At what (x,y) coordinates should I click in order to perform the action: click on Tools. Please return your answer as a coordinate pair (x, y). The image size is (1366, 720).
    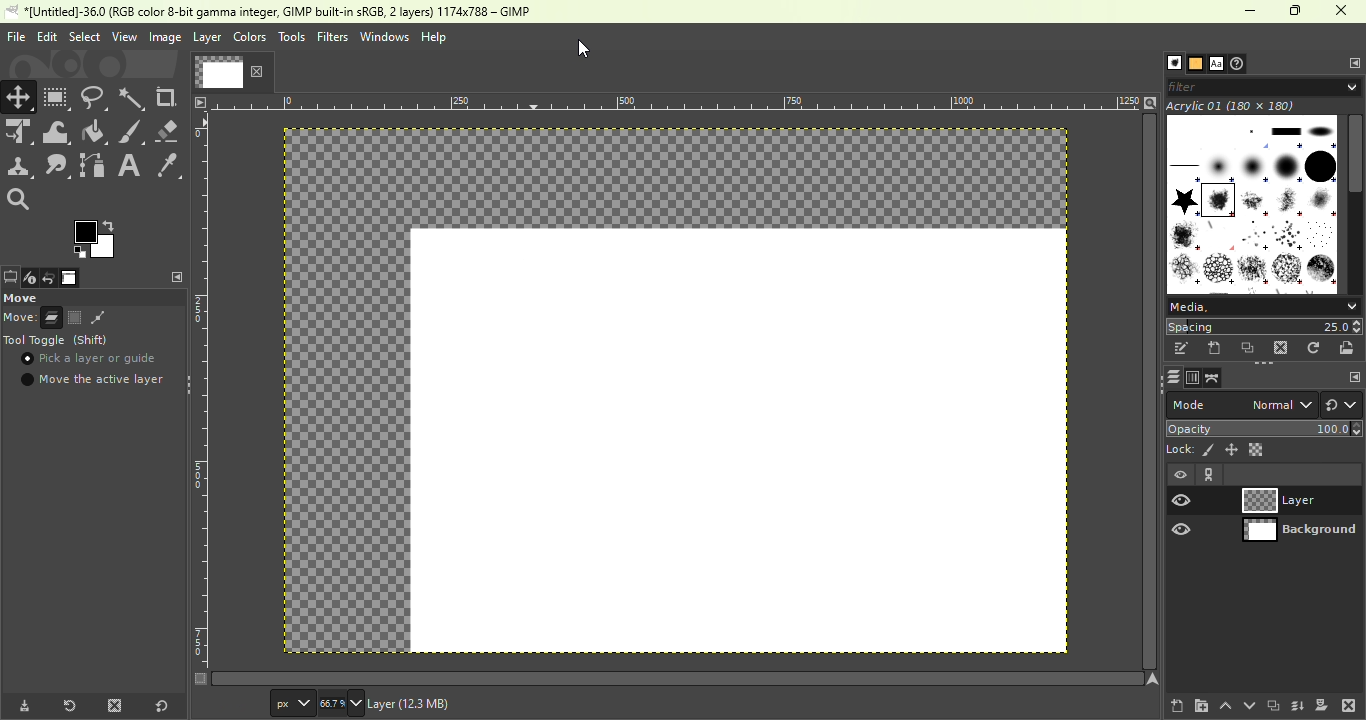
    Looking at the image, I should click on (291, 37).